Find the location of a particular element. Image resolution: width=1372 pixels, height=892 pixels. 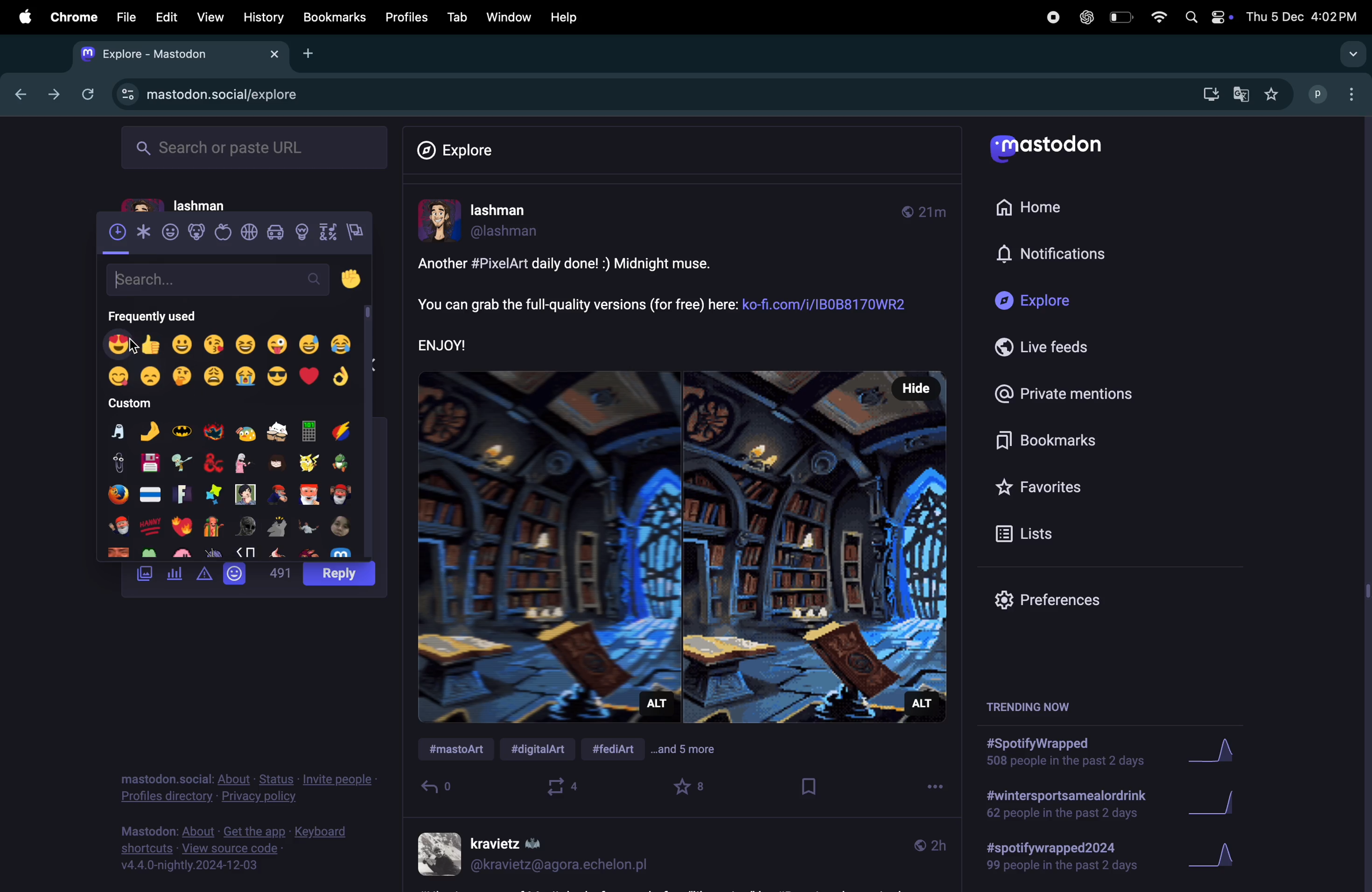

bookmarks is located at coordinates (334, 18).